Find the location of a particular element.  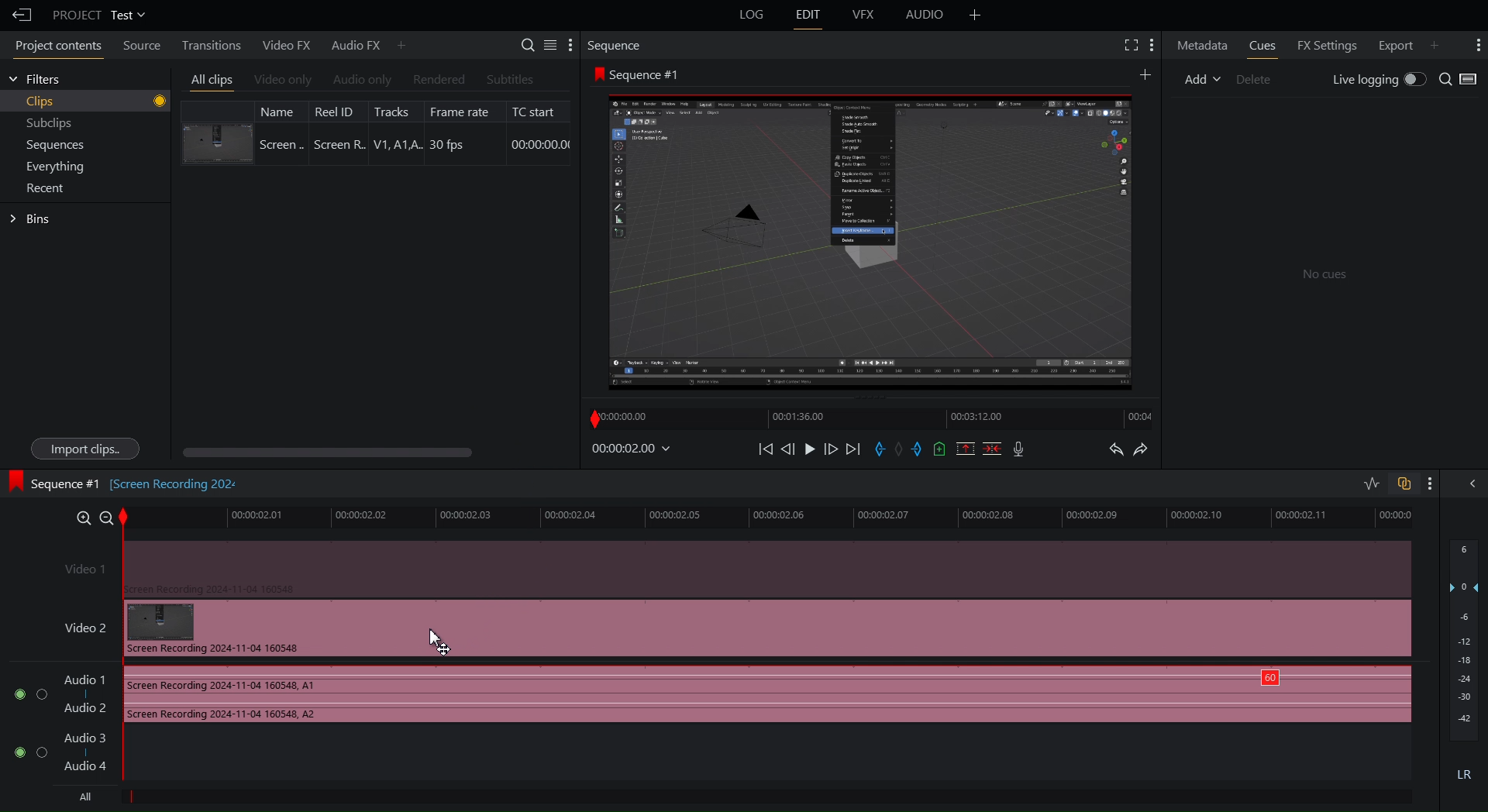

Sequence is located at coordinates (619, 45).